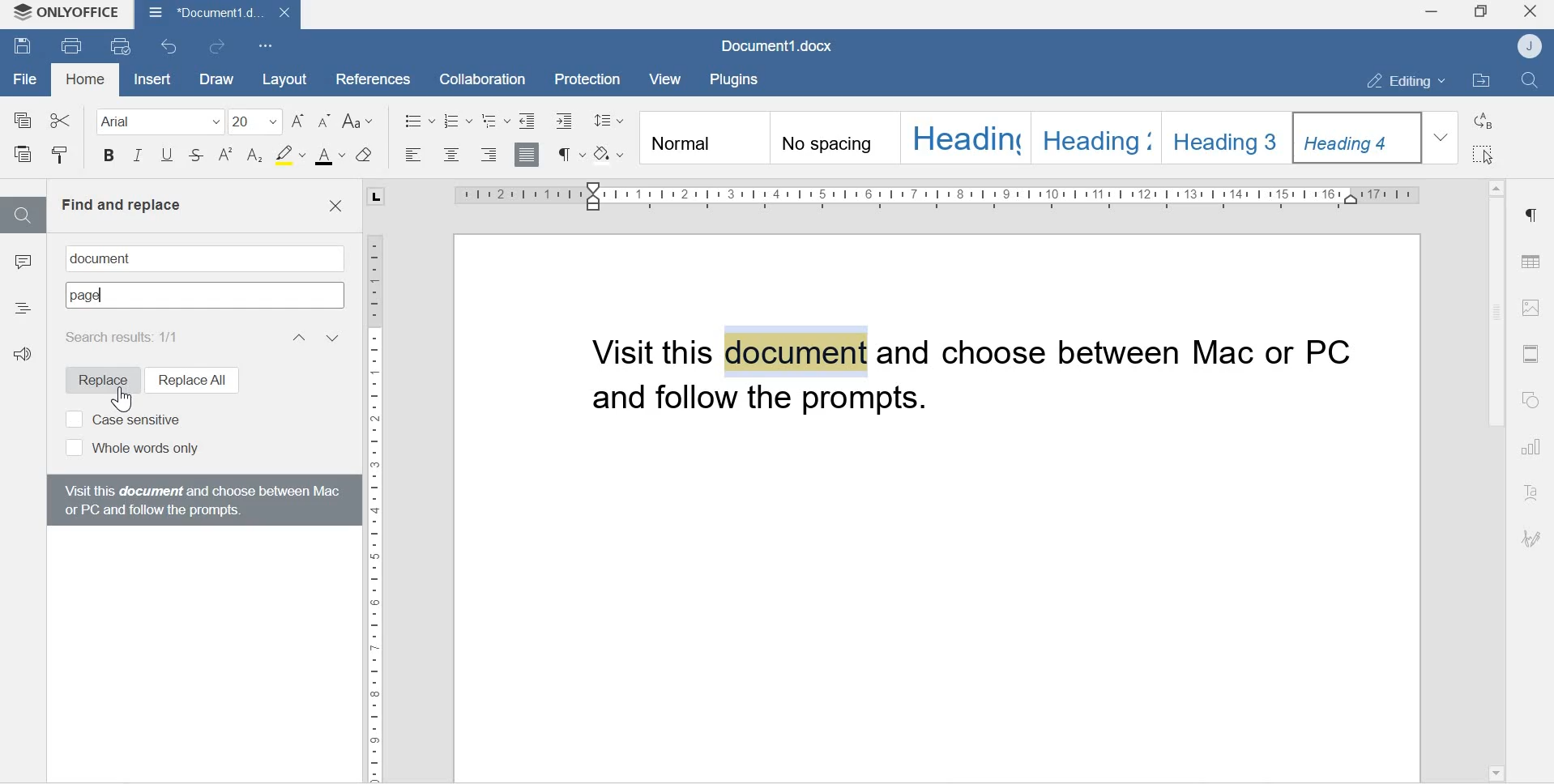 This screenshot has height=784, width=1554. Describe the element at coordinates (1532, 46) in the screenshot. I see `Account` at that location.